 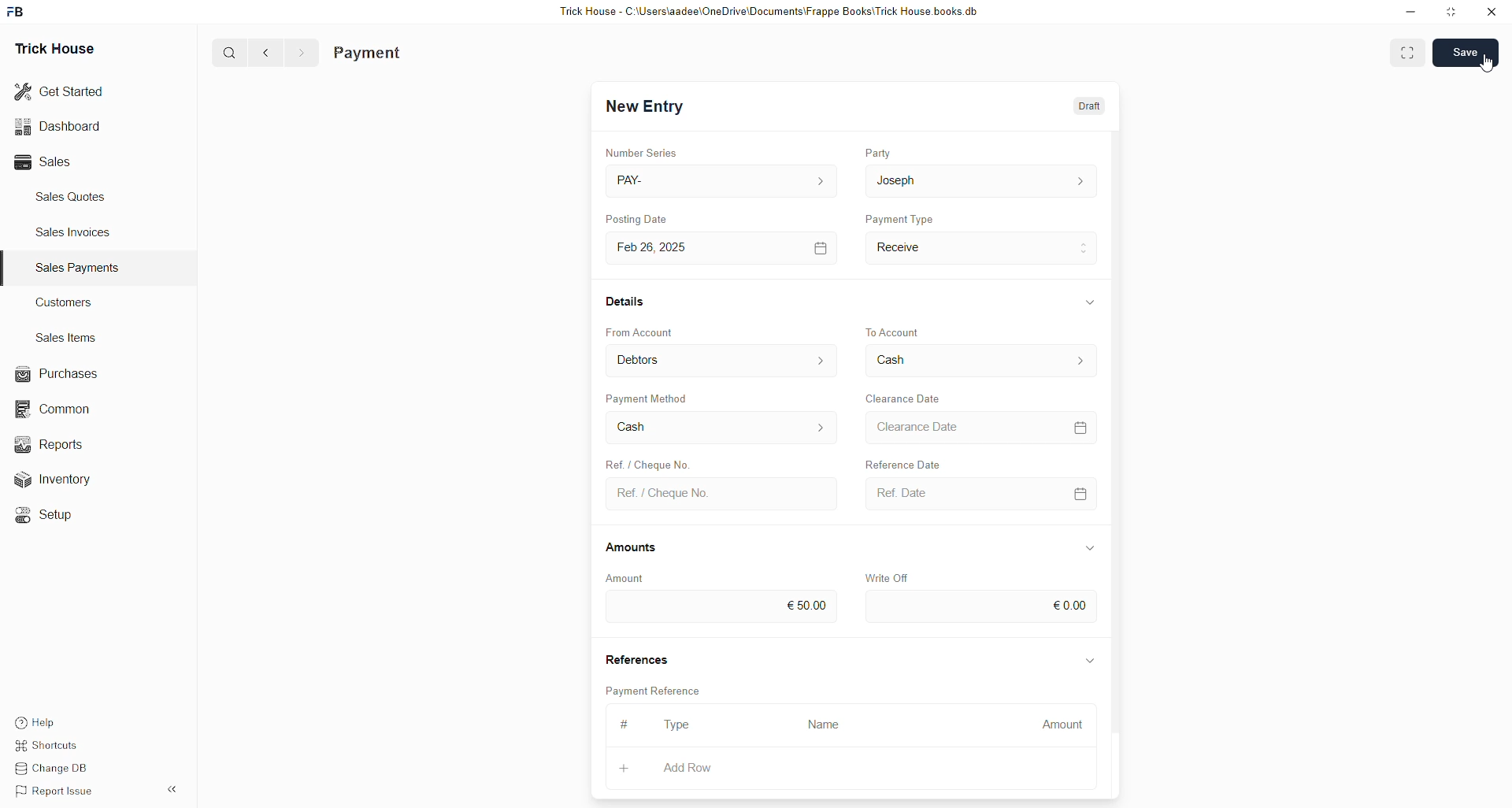 What do you see at coordinates (368, 54) in the screenshot?
I see `Payment` at bounding box center [368, 54].